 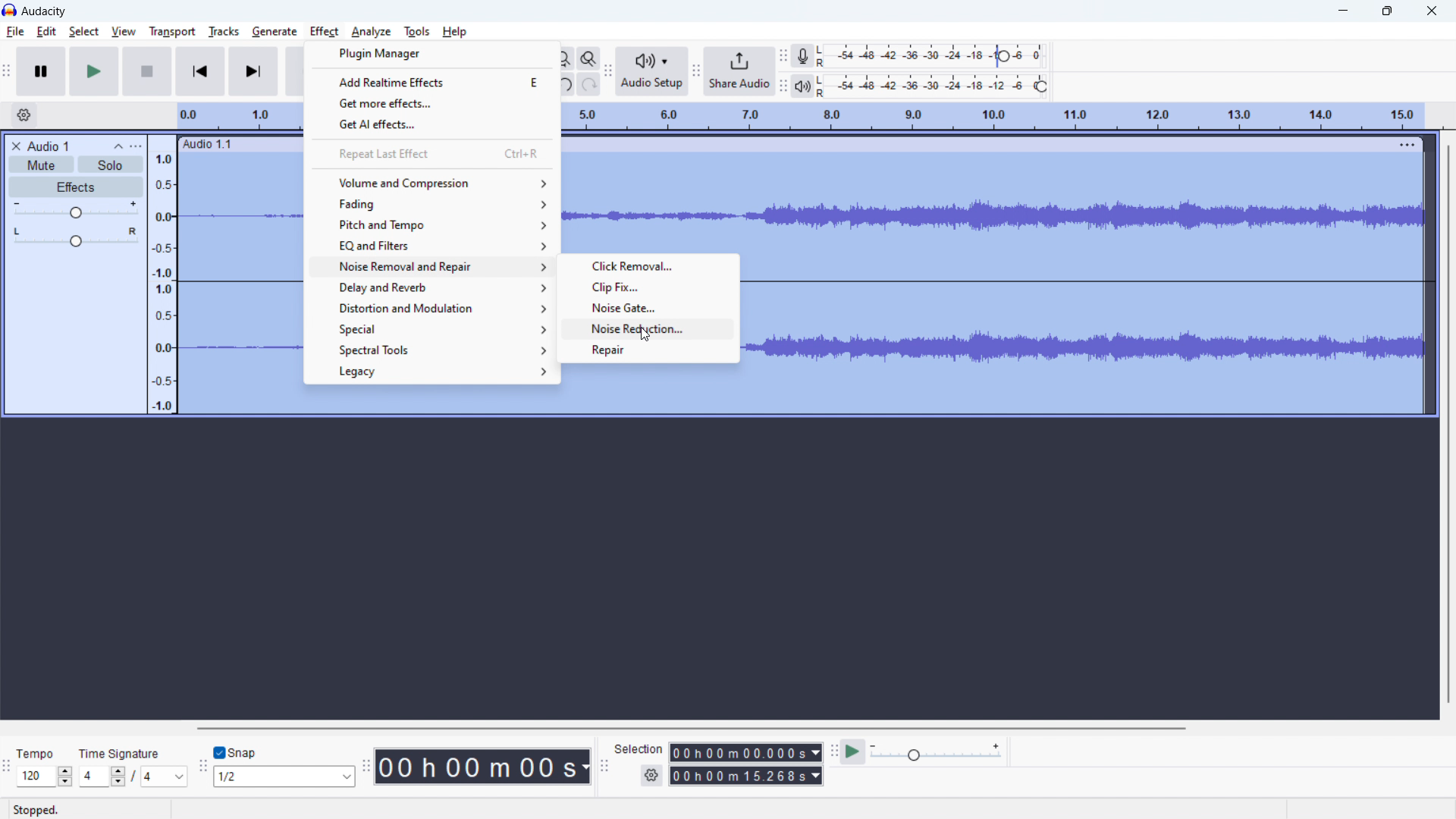 I want to click on file, so click(x=15, y=31).